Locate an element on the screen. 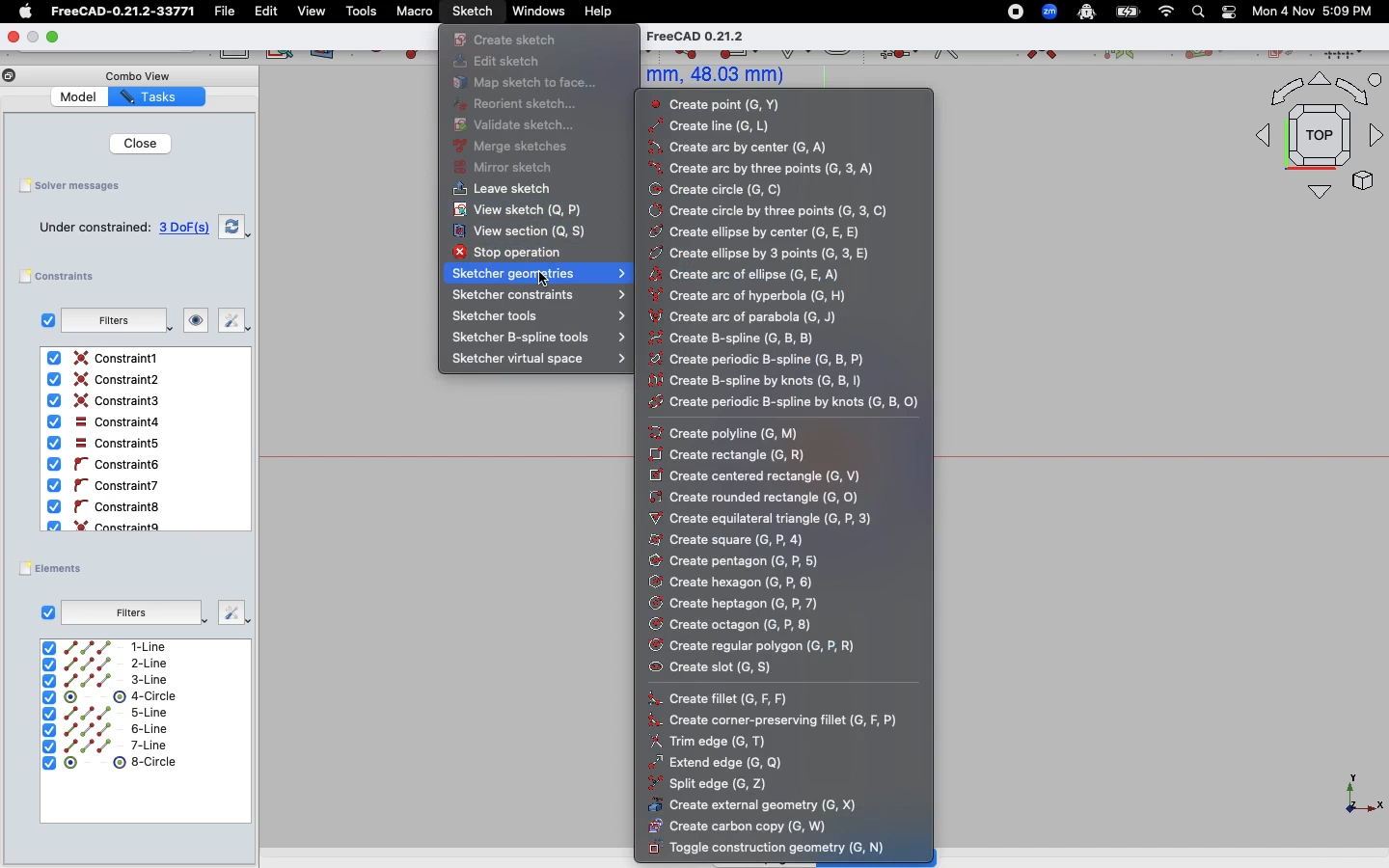  Sketcher virtual space is located at coordinates (538, 361).